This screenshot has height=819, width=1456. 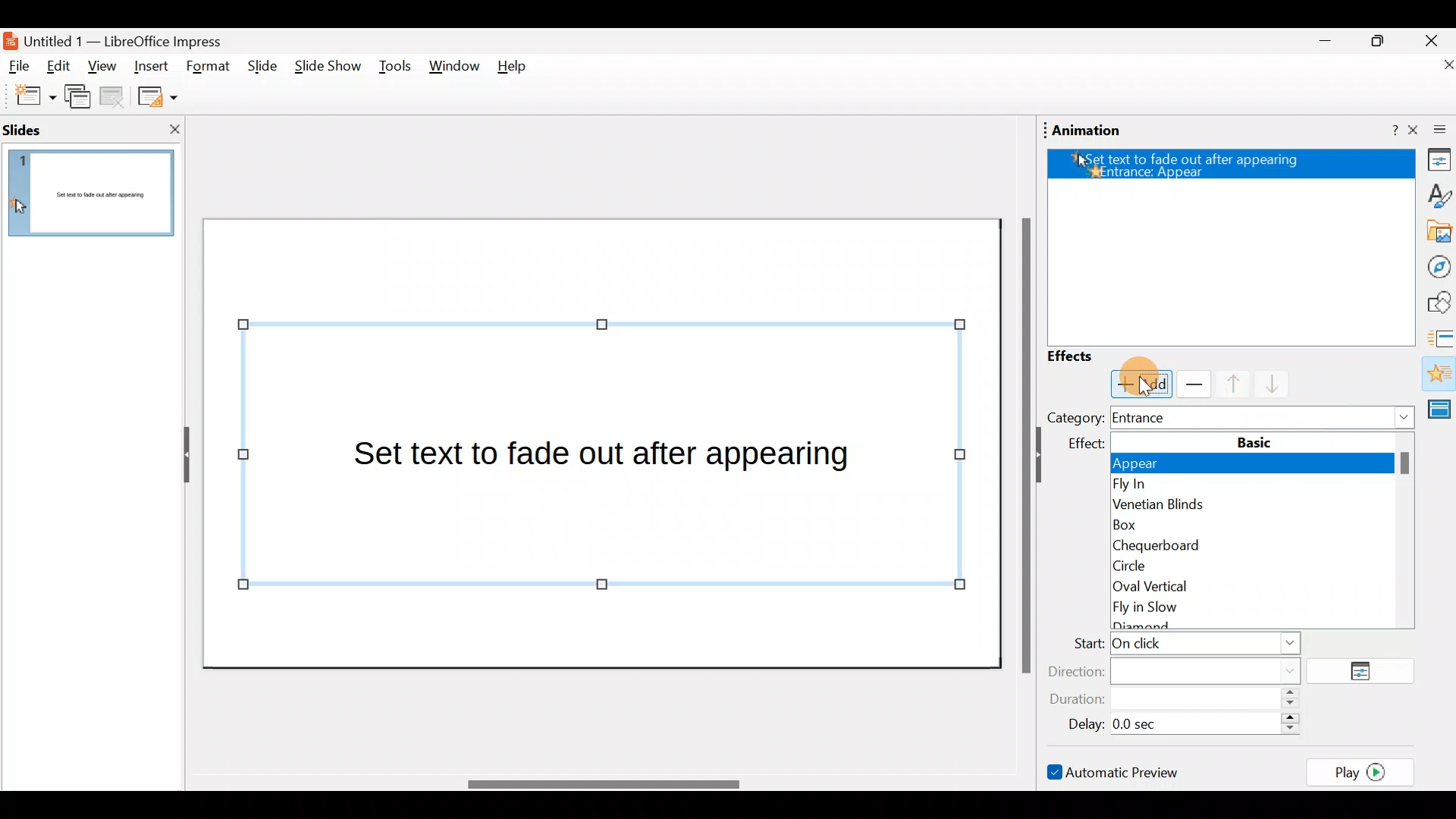 What do you see at coordinates (49, 129) in the screenshot?
I see `Slides` at bounding box center [49, 129].